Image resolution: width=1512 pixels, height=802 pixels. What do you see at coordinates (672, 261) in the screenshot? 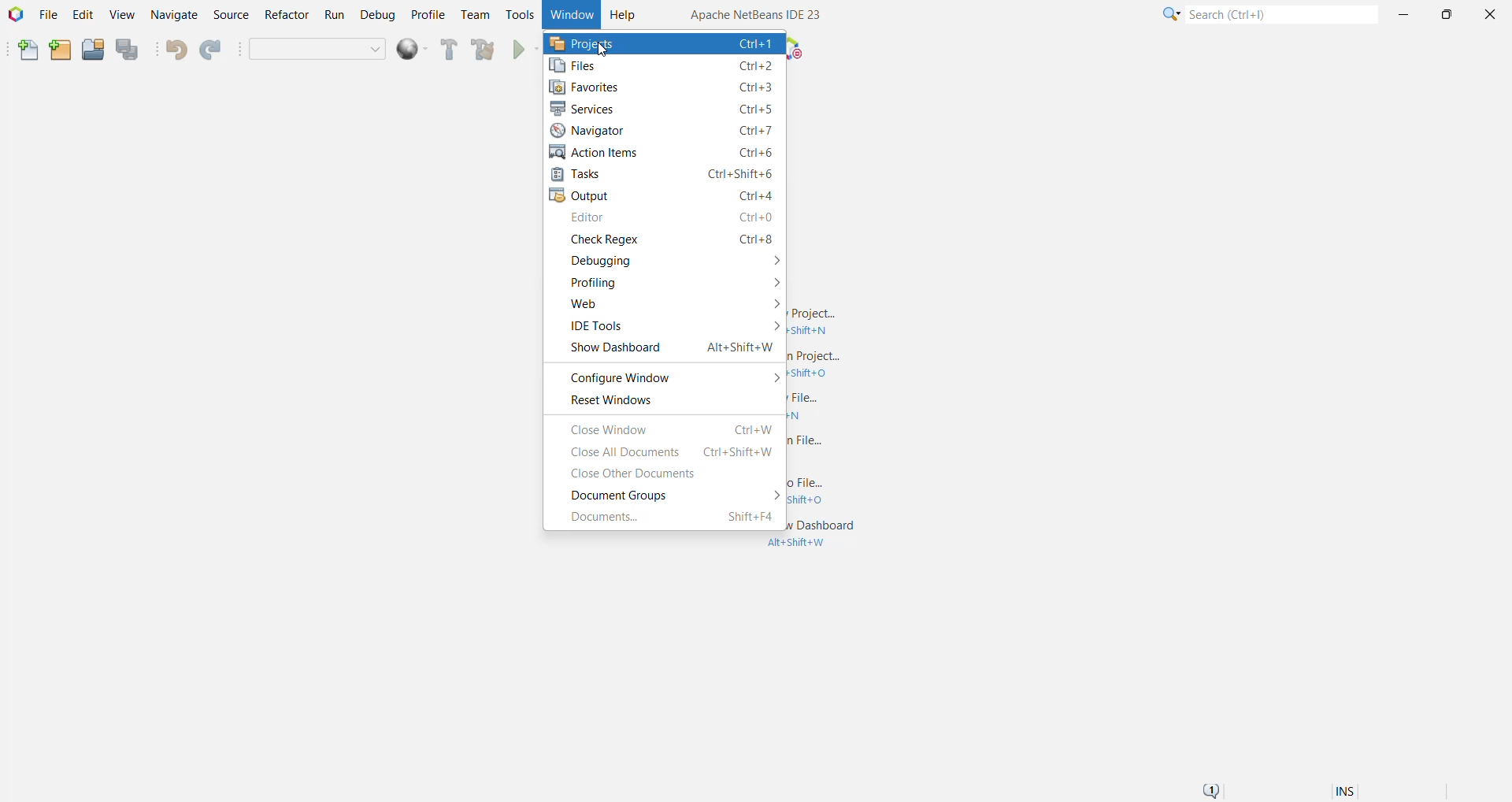
I see `Debugging` at bounding box center [672, 261].